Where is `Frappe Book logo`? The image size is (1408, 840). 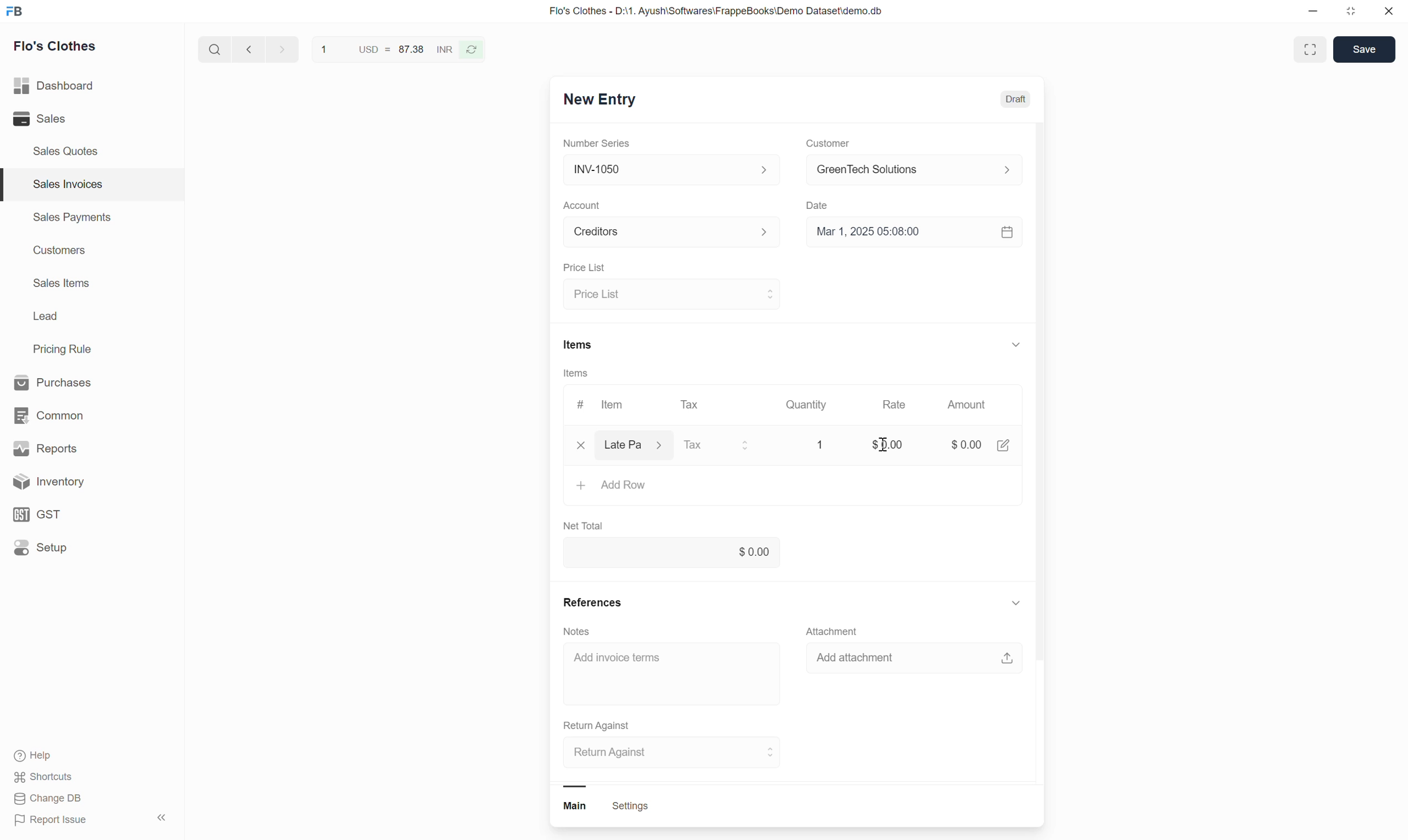
Frappe Book logo is located at coordinates (18, 12).